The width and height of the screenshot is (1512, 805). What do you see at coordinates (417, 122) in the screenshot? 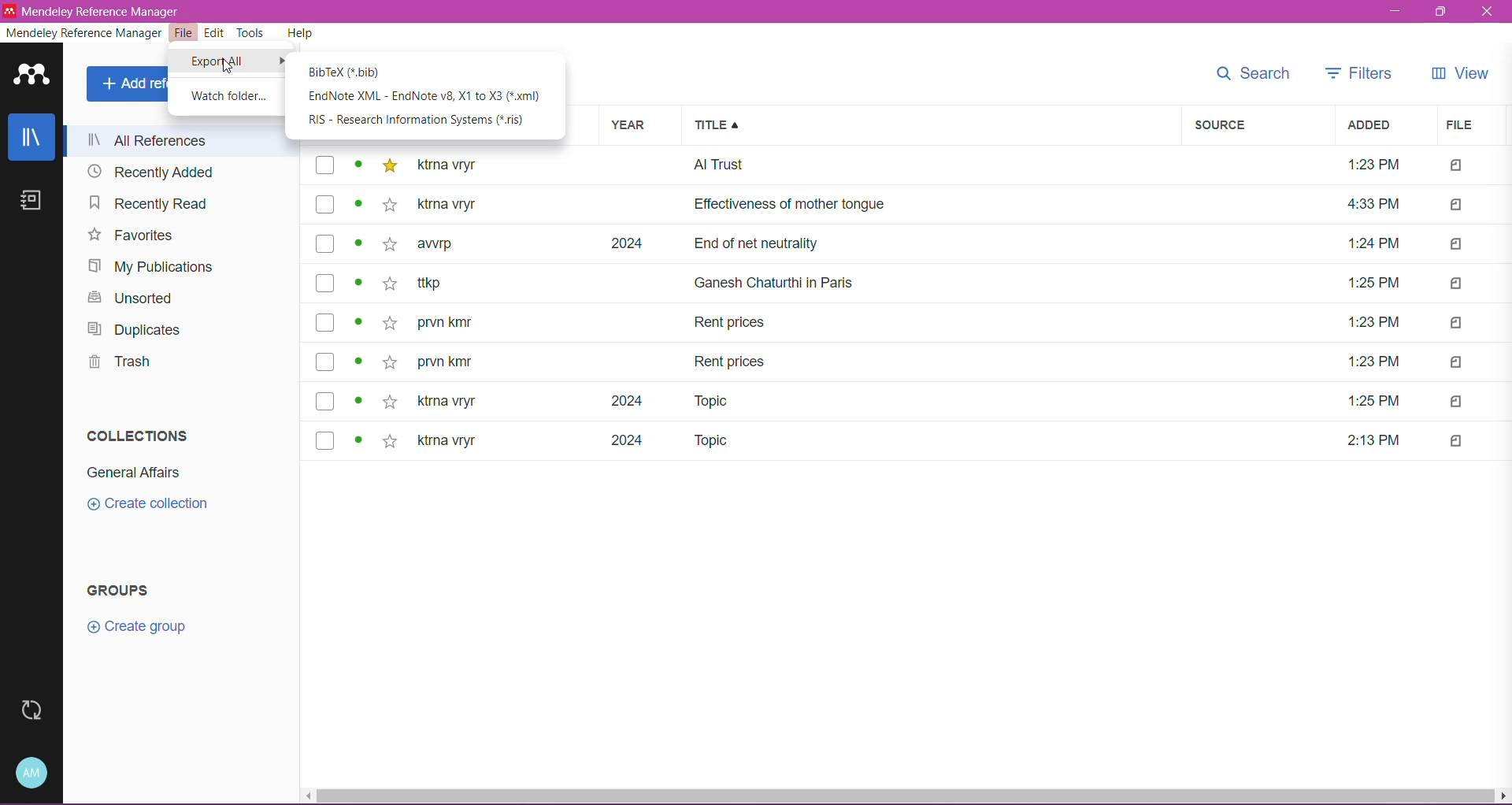
I see `RIS - Research Information Systems(*.ris)` at bounding box center [417, 122].